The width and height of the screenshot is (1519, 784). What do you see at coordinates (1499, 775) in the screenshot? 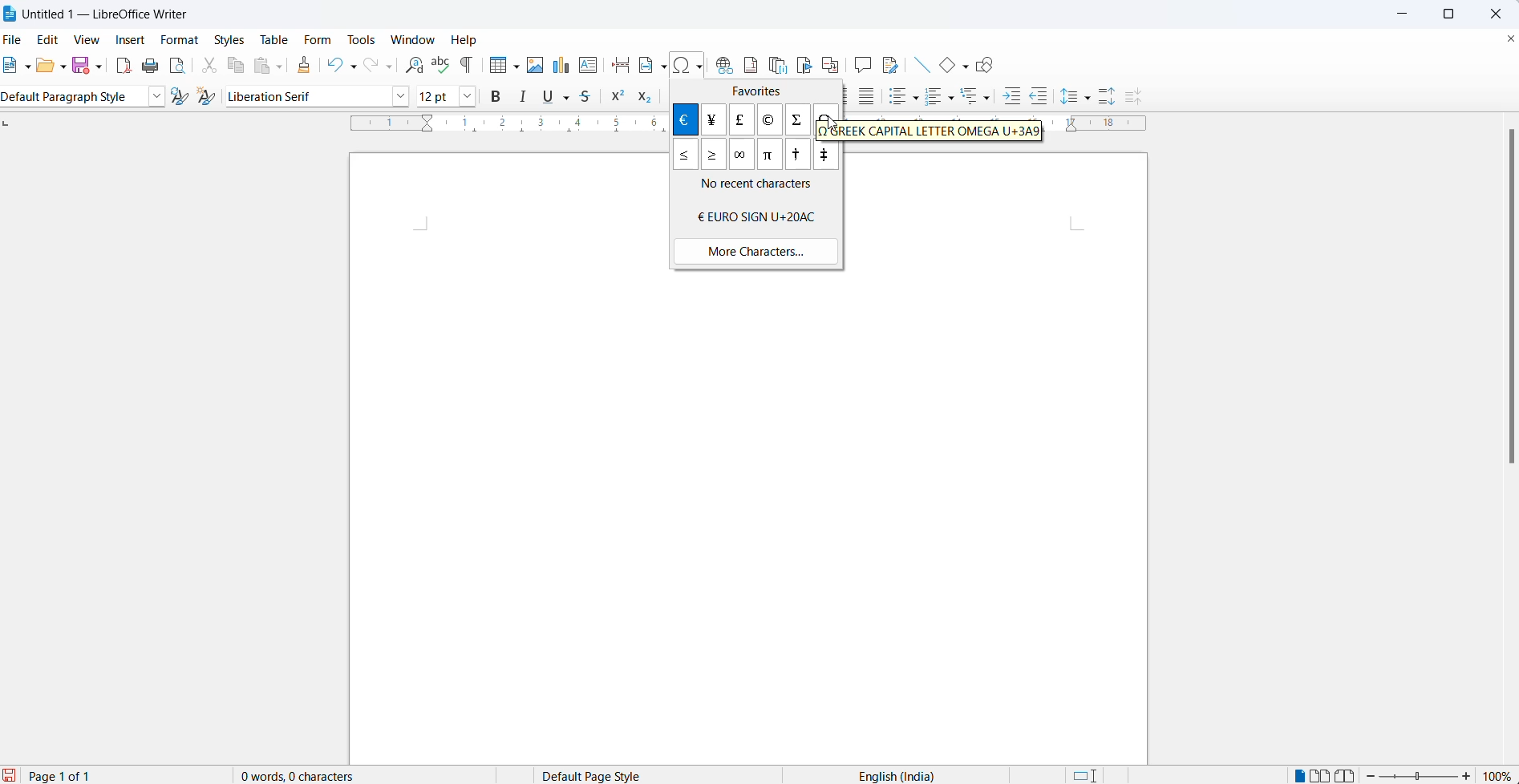
I see `zoom percentage` at bounding box center [1499, 775].